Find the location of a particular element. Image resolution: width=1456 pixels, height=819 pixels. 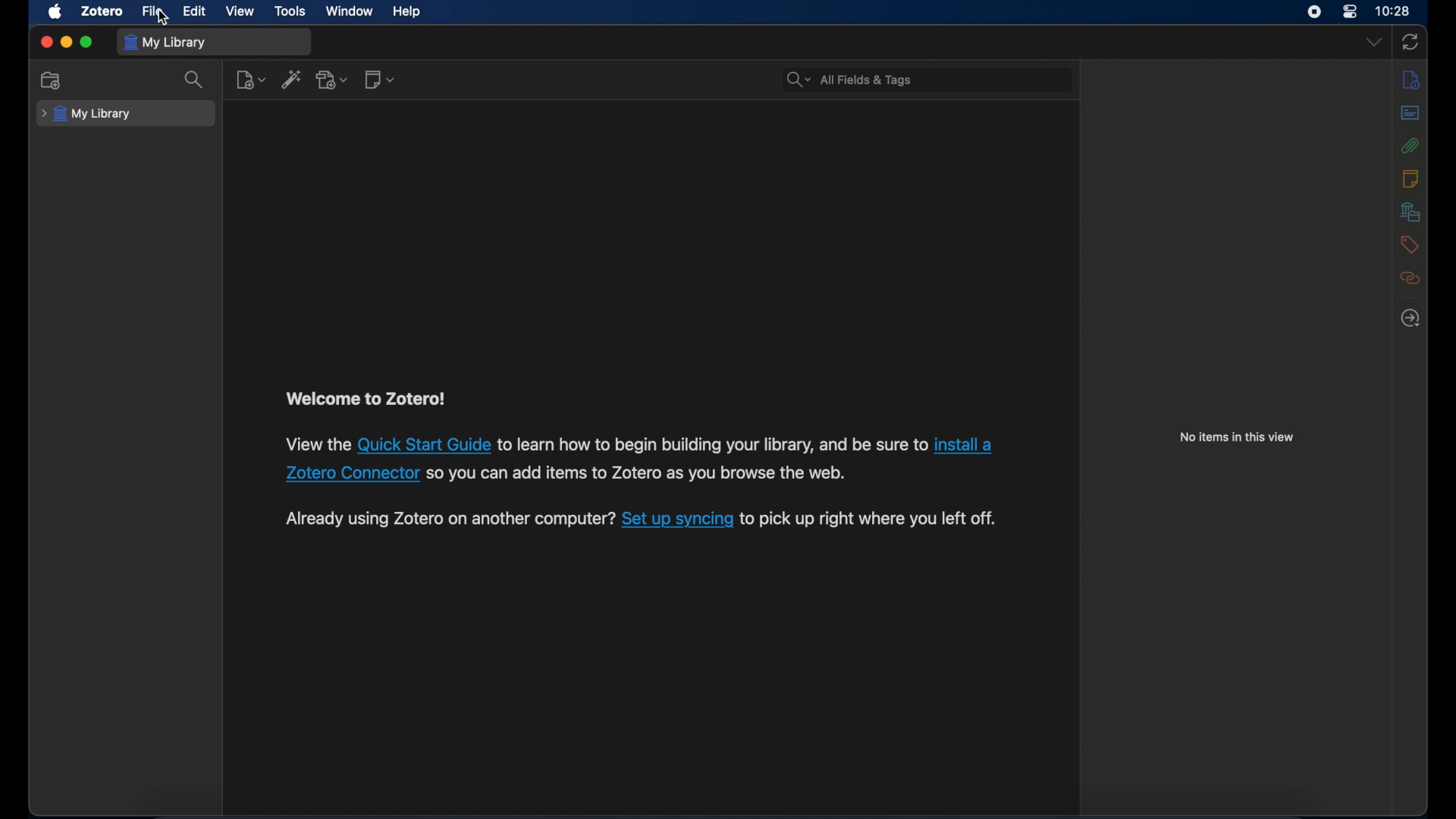

tags is located at coordinates (1409, 246).